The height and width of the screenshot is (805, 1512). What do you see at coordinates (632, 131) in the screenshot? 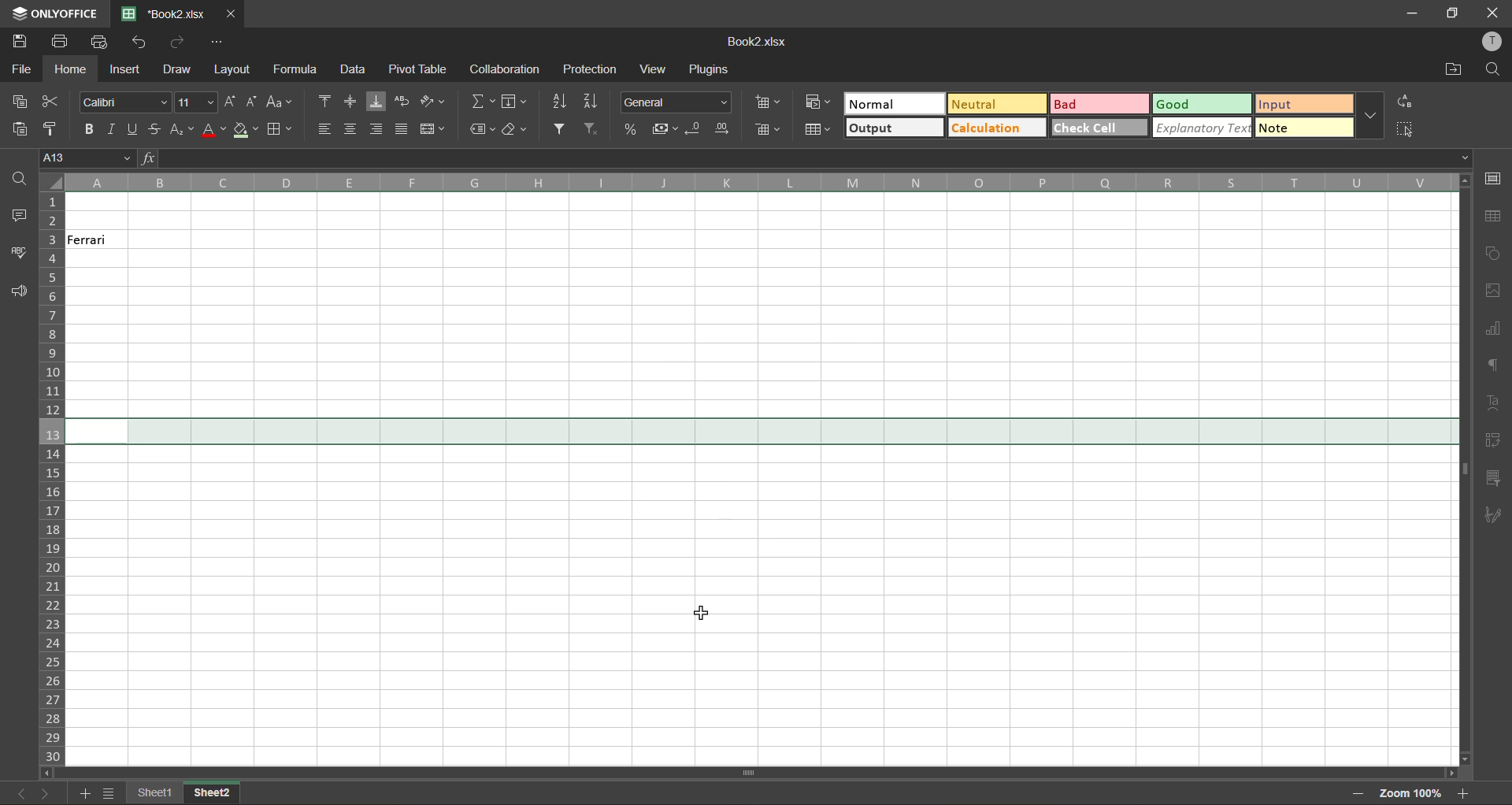
I see `percent` at bounding box center [632, 131].